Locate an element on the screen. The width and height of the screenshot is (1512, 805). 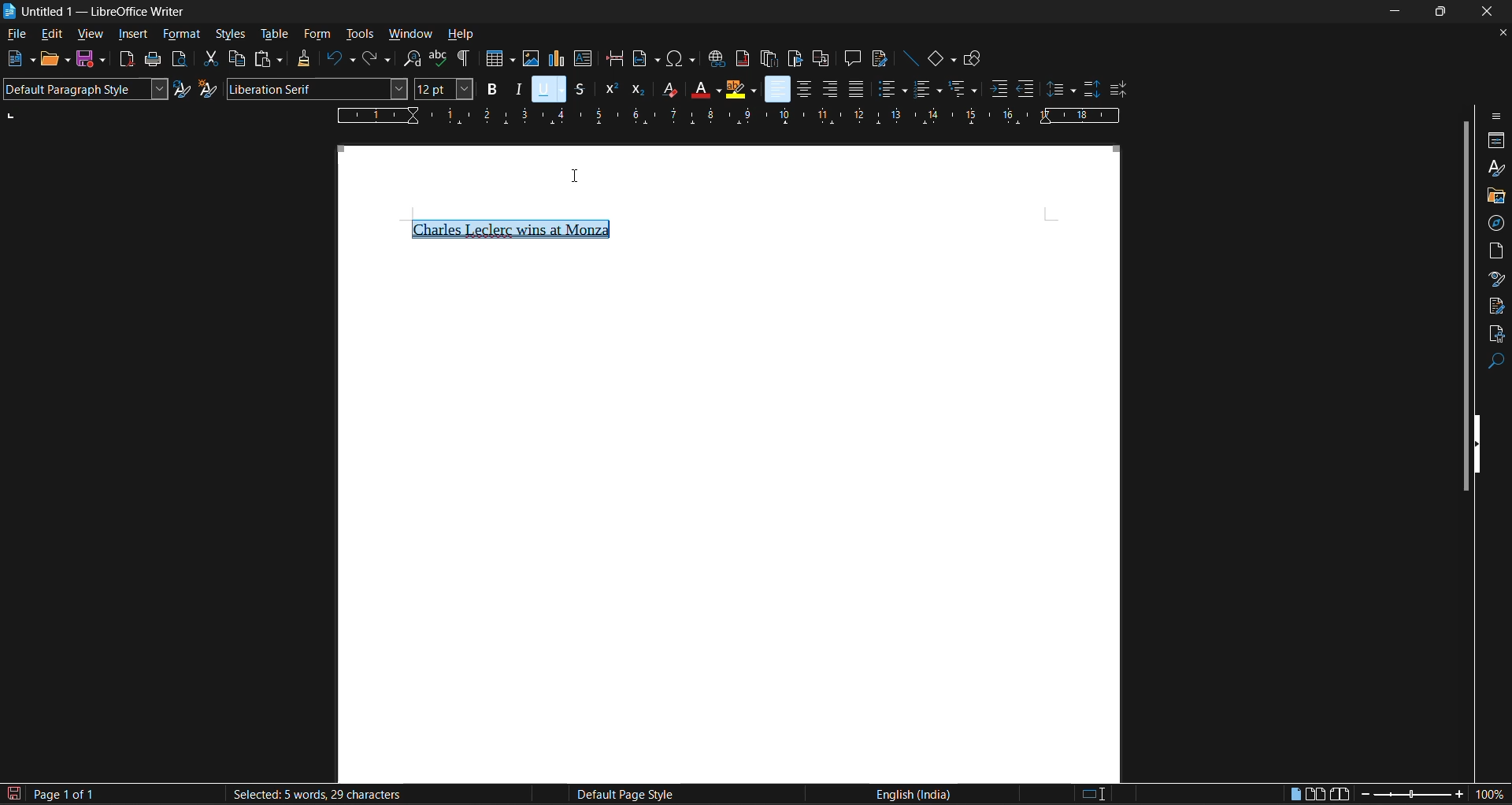
page ruler is located at coordinates (727, 115).